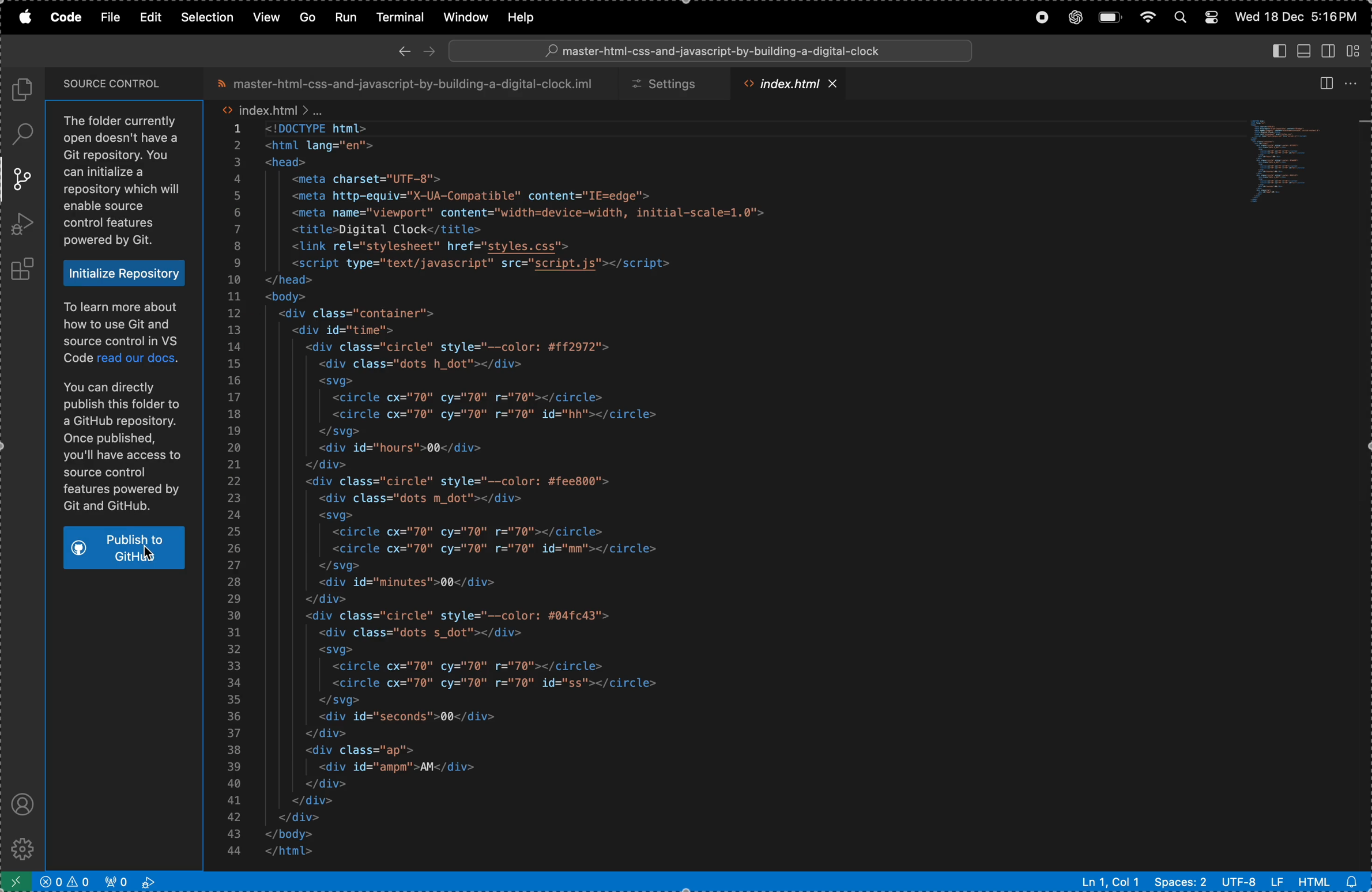 The height and width of the screenshot is (892, 1372). What do you see at coordinates (1272, 50) in the screenshot?
I see `primary side abar` at bounding box center [1272, 50].